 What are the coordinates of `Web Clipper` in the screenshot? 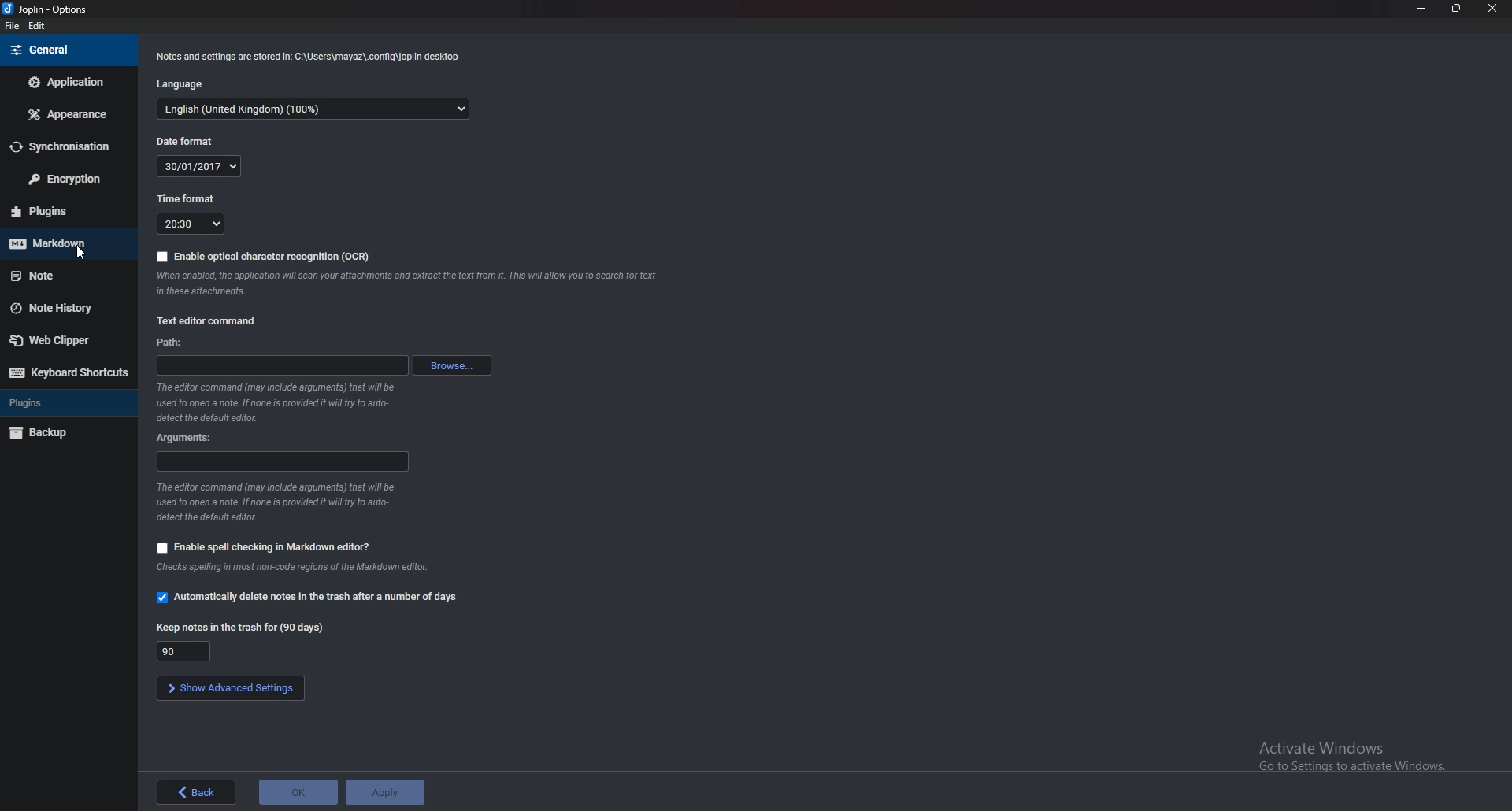 It's located at (68, 339).